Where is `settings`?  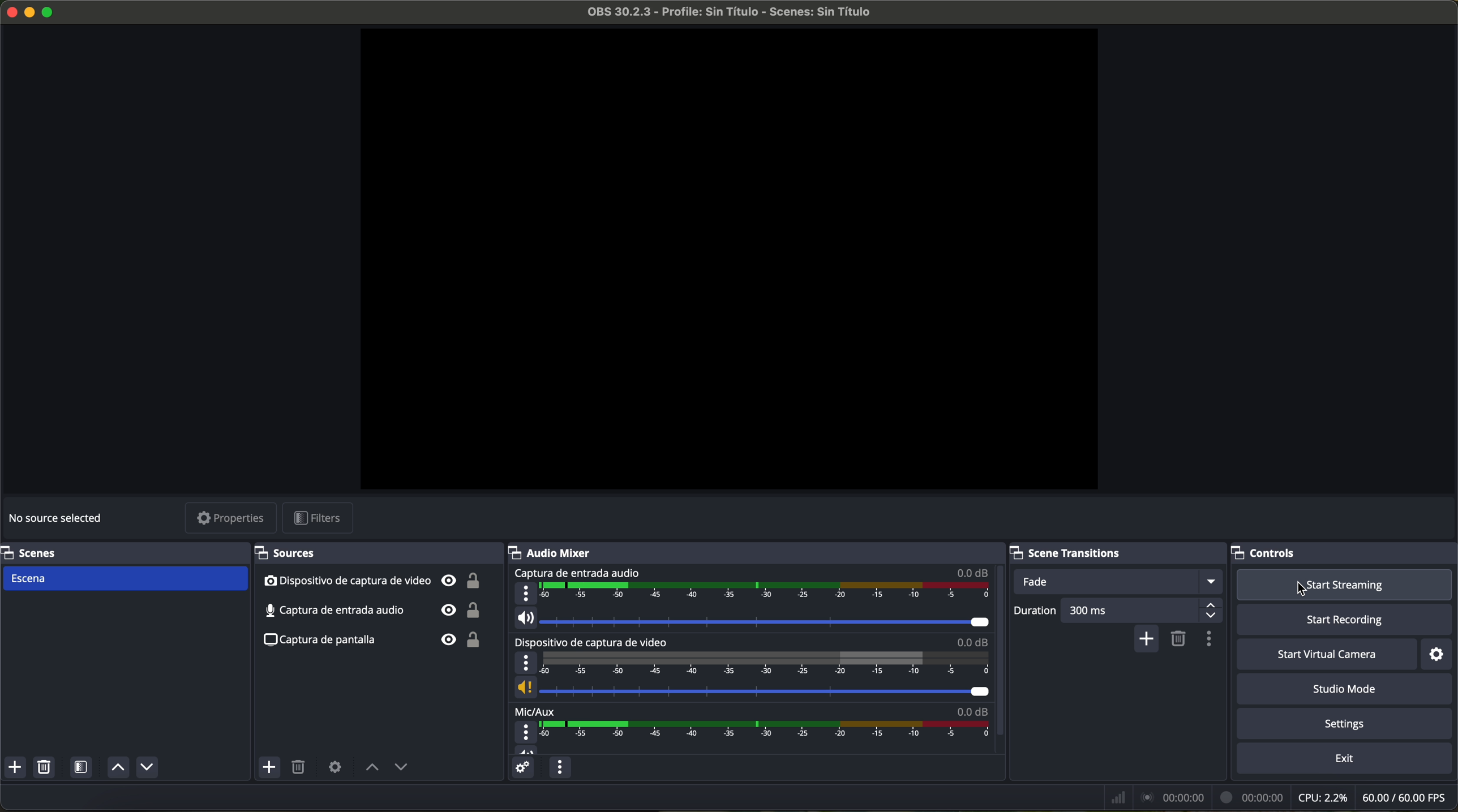 settings is located at coordinates (1347, 725).